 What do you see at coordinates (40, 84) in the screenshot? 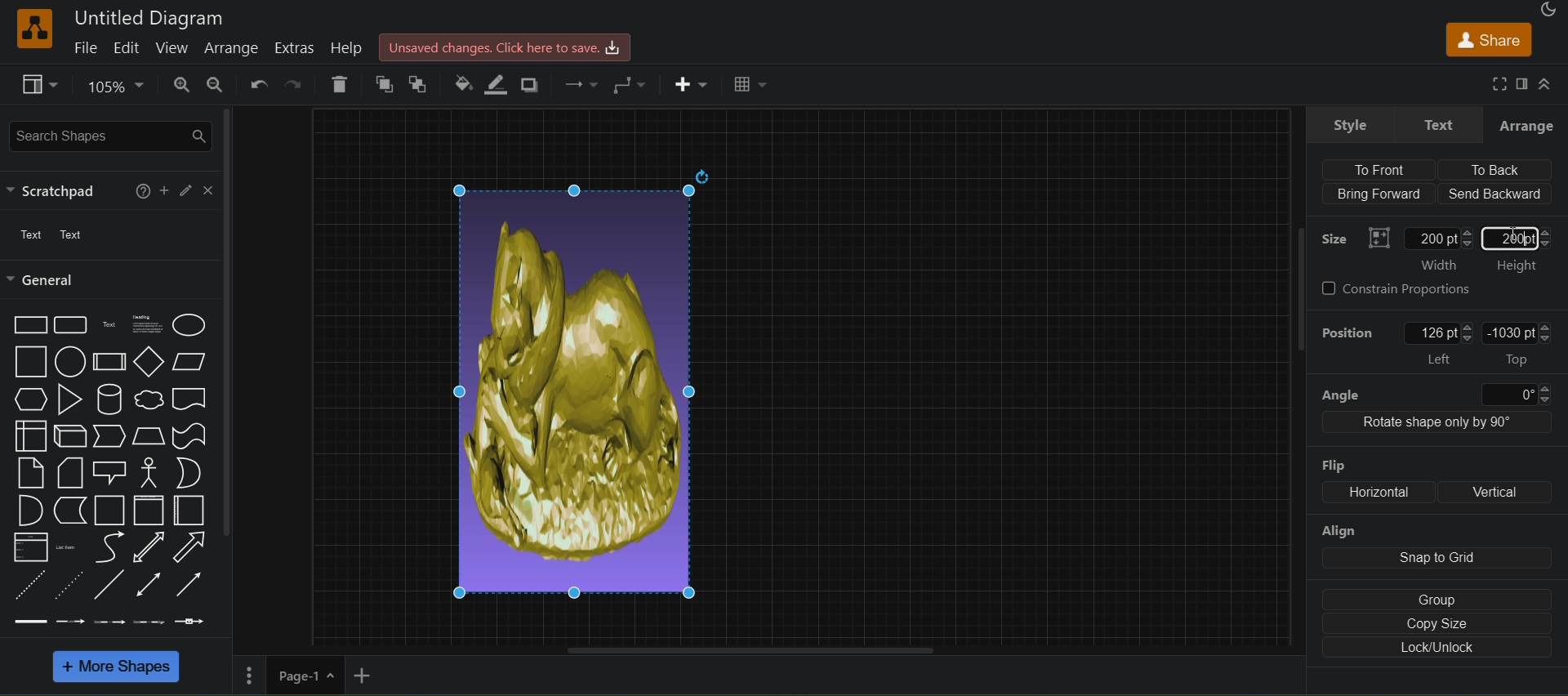
I see `view` at bounding box center [40, 84].